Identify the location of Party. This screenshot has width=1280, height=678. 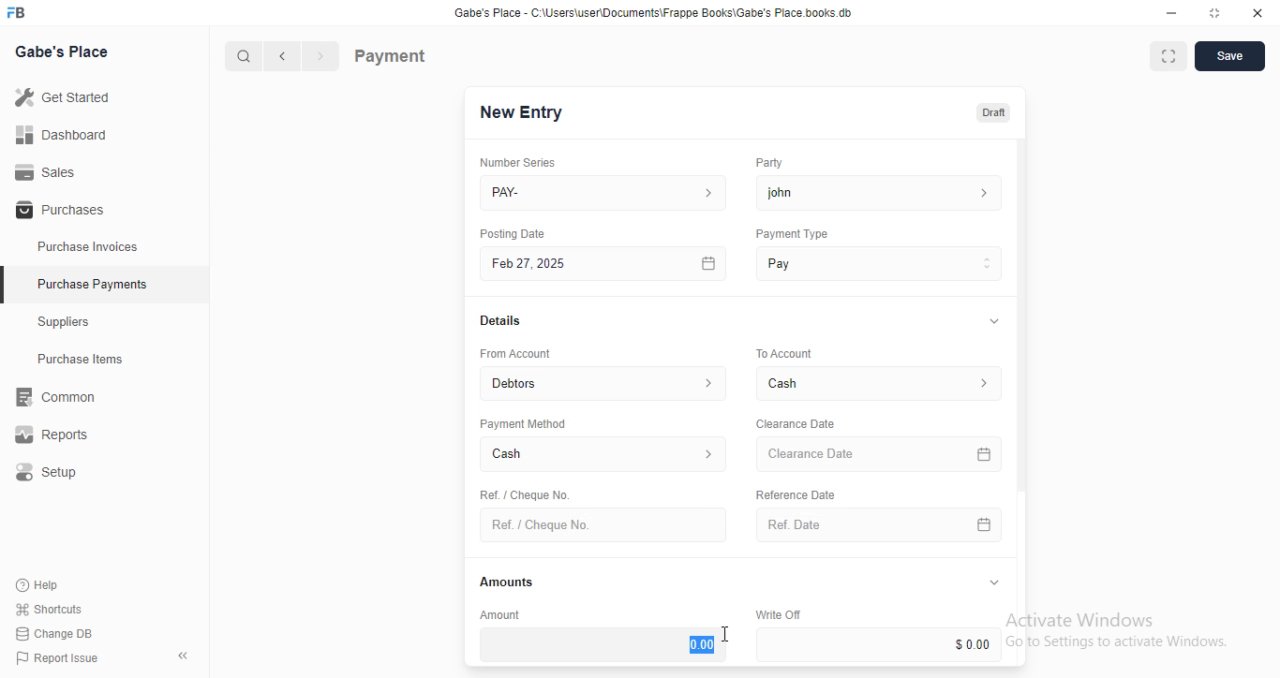
(767, 163).